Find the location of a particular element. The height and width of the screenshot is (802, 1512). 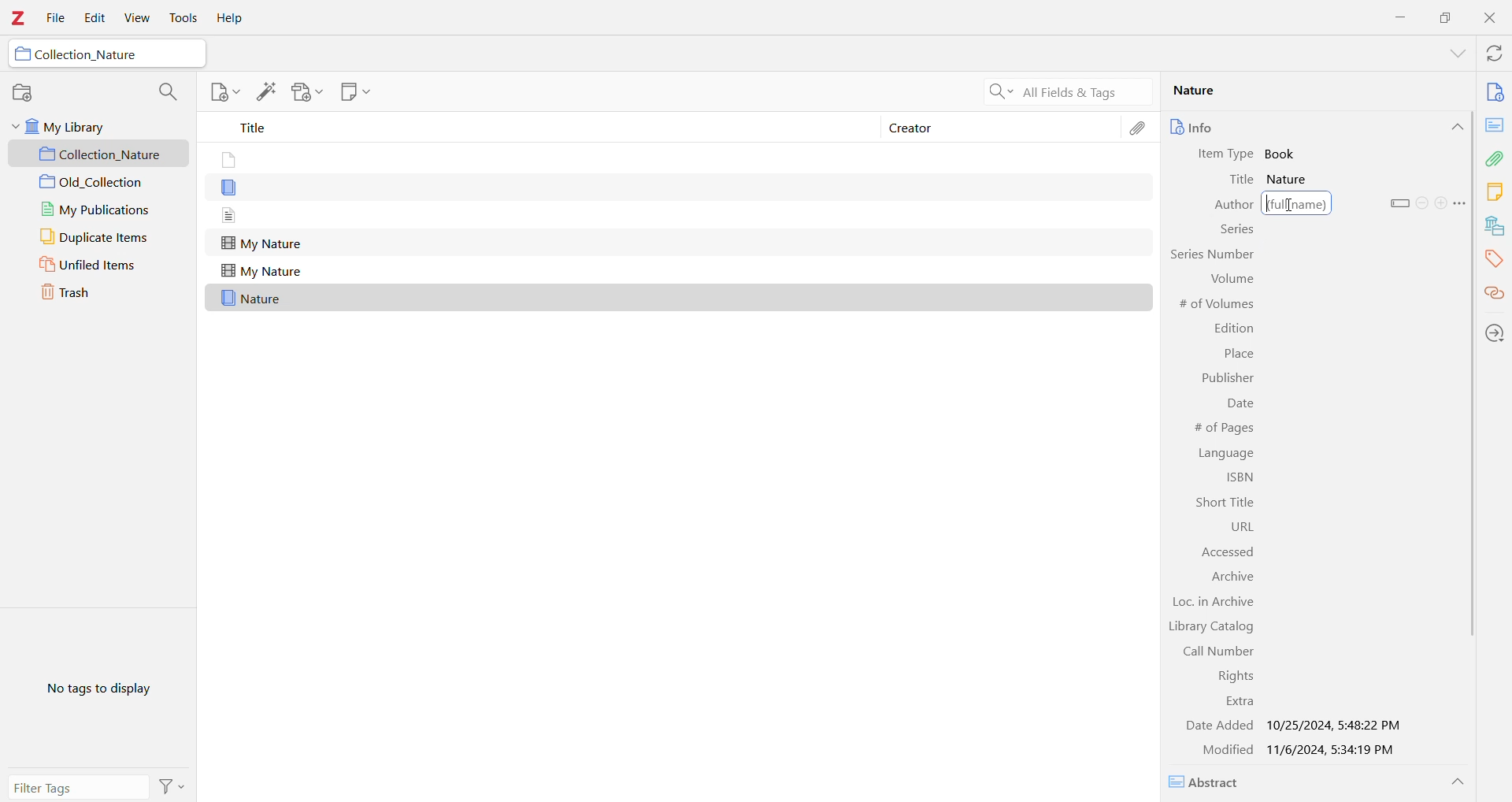

Info is located at coordinates (1495, 94).